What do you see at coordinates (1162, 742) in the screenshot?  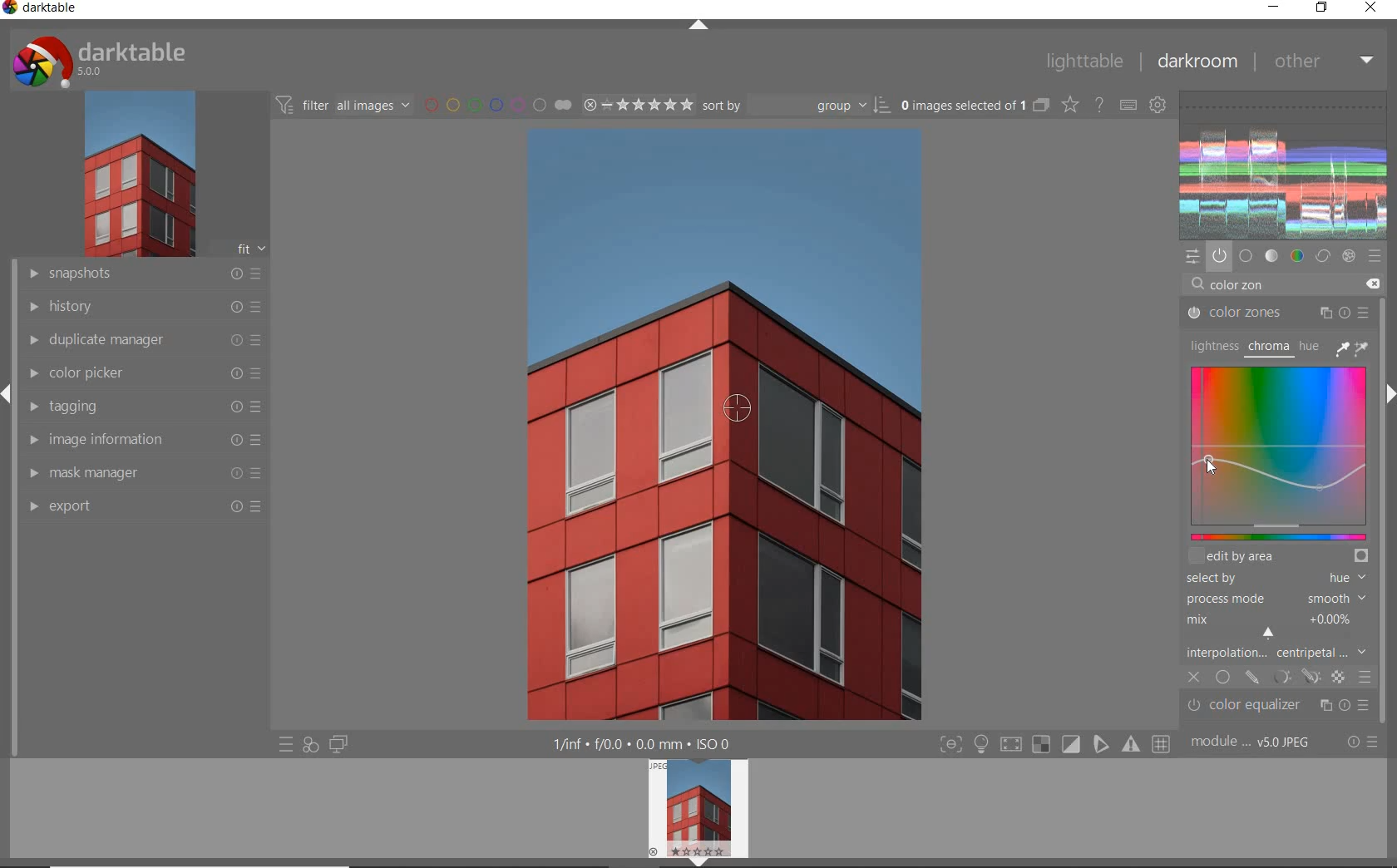 I see `grid overlay` at bounding box center [1162, 742].